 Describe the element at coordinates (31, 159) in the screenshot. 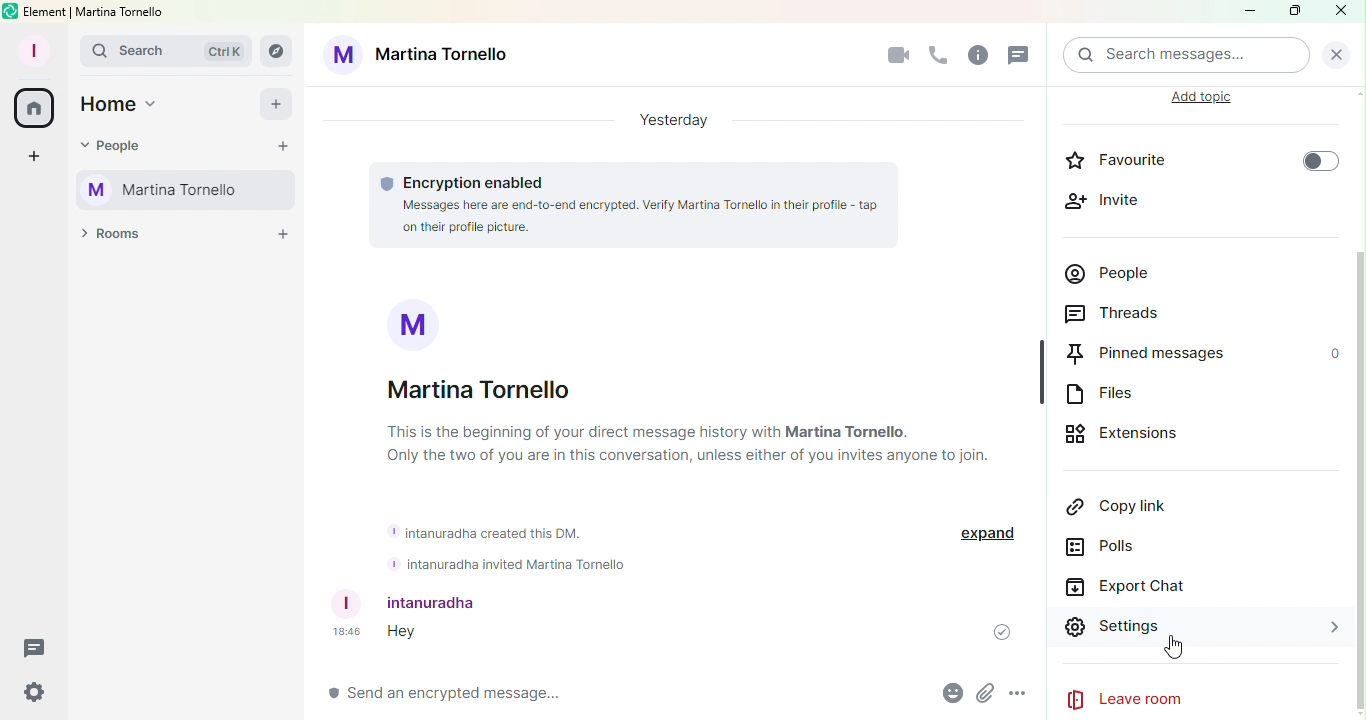

I see `Create a space` at that location.